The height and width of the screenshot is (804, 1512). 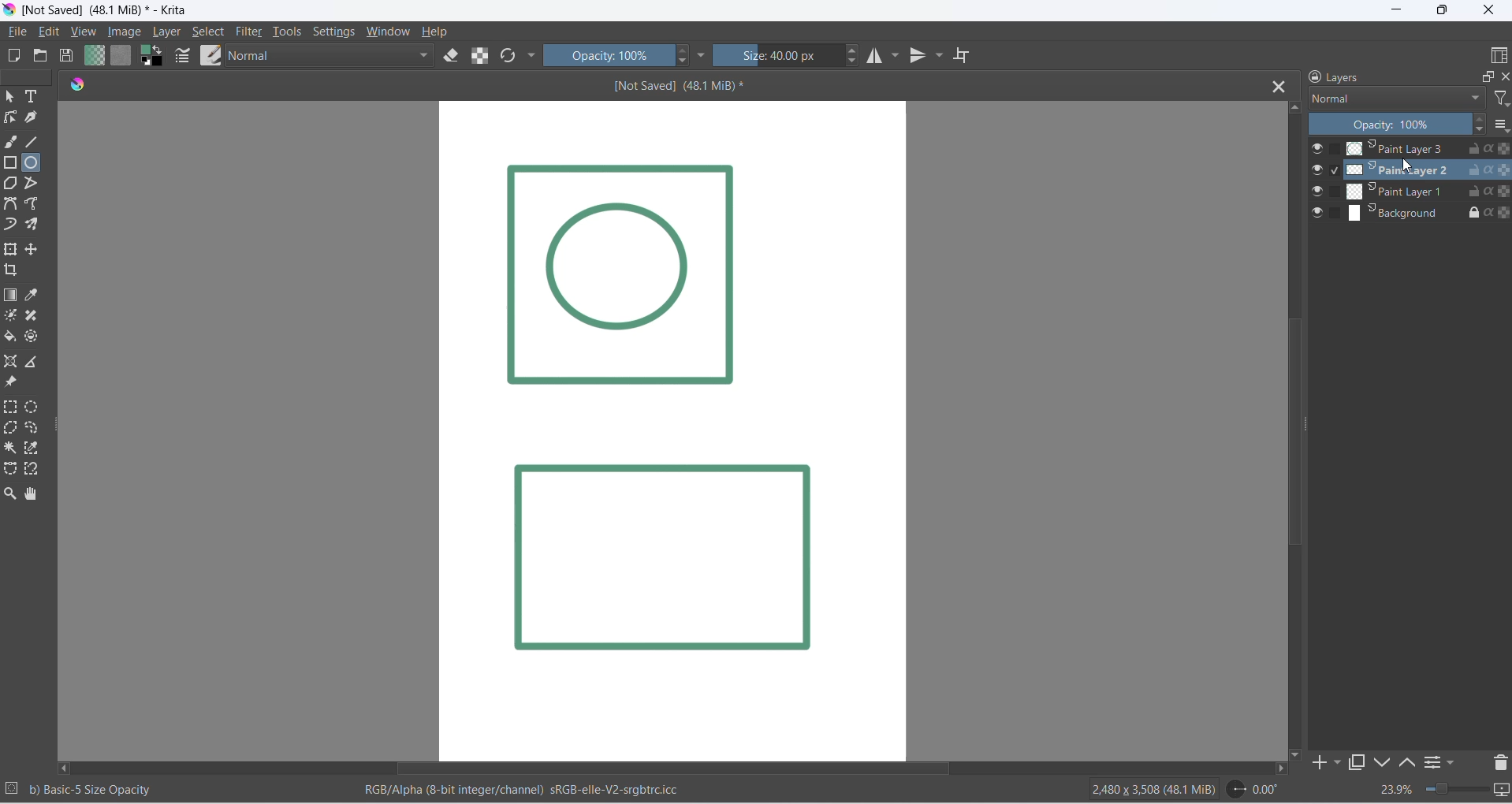 What do you see at coordinates (11, 97) in the screenshot?
I see `select` at bounding box center [11, 97].